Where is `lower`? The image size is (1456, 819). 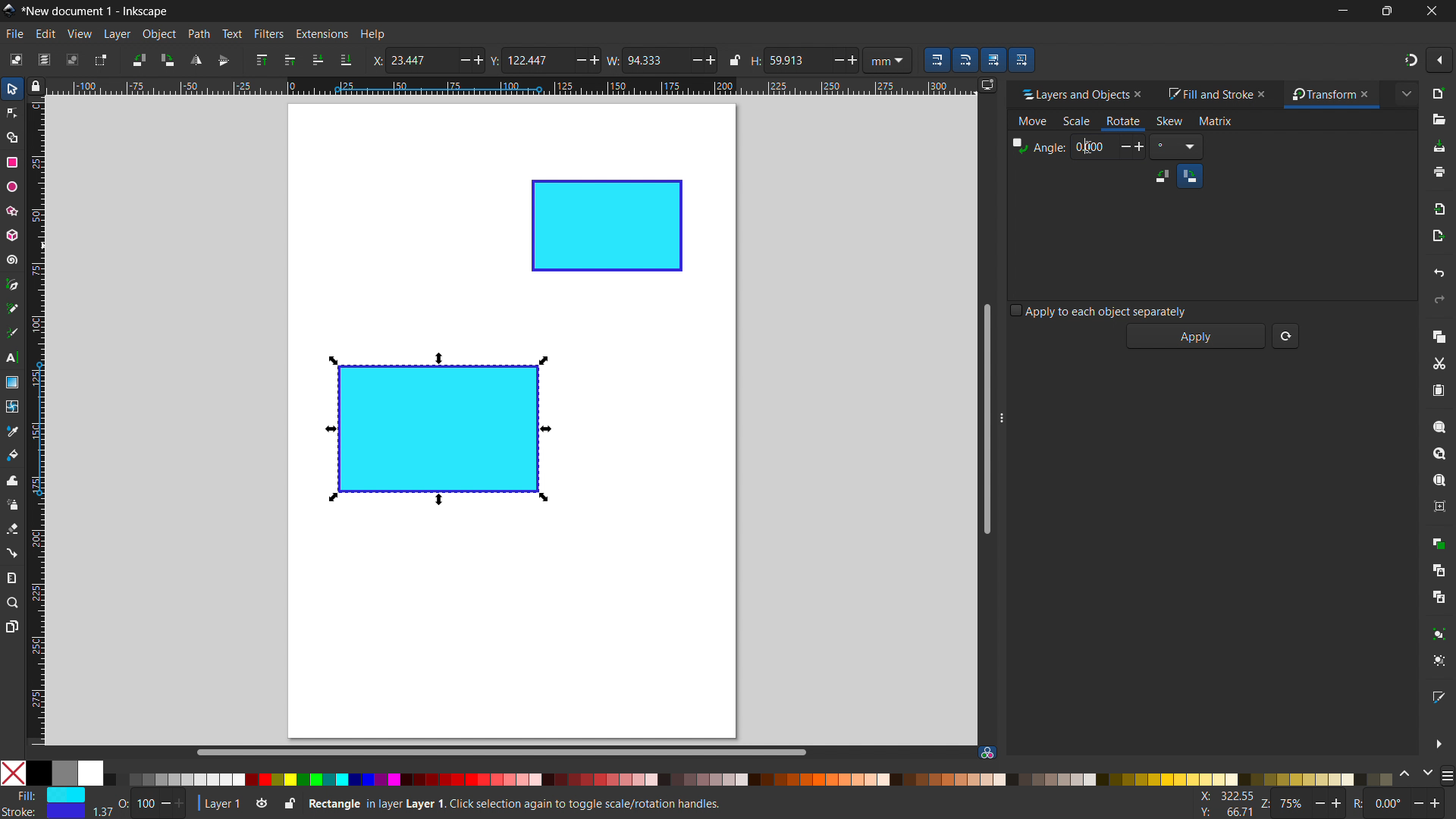
lower is located at coordinates (318, 59).